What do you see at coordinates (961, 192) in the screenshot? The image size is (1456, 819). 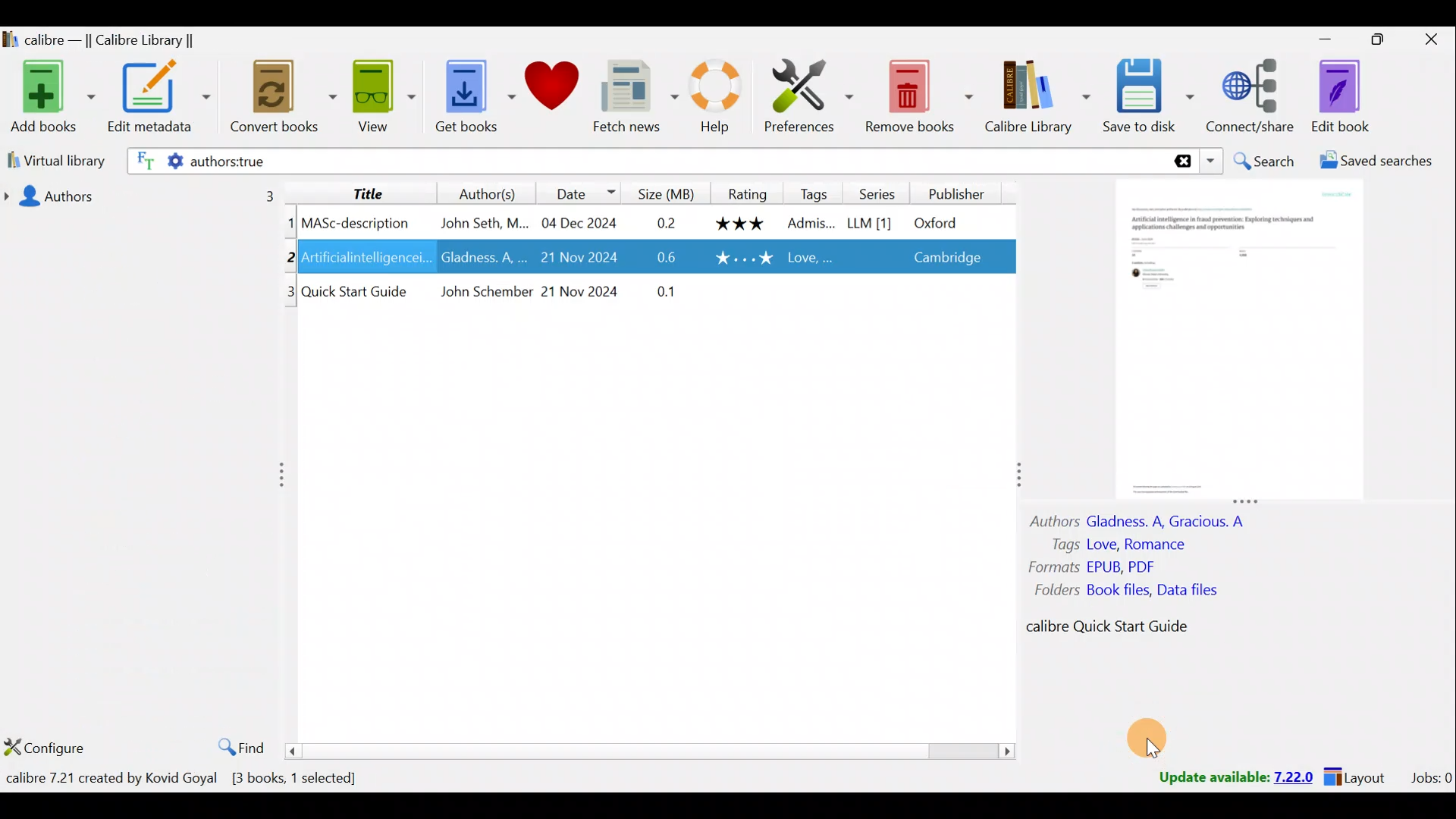 I see `Publisher` at bounding box center [961, 192].